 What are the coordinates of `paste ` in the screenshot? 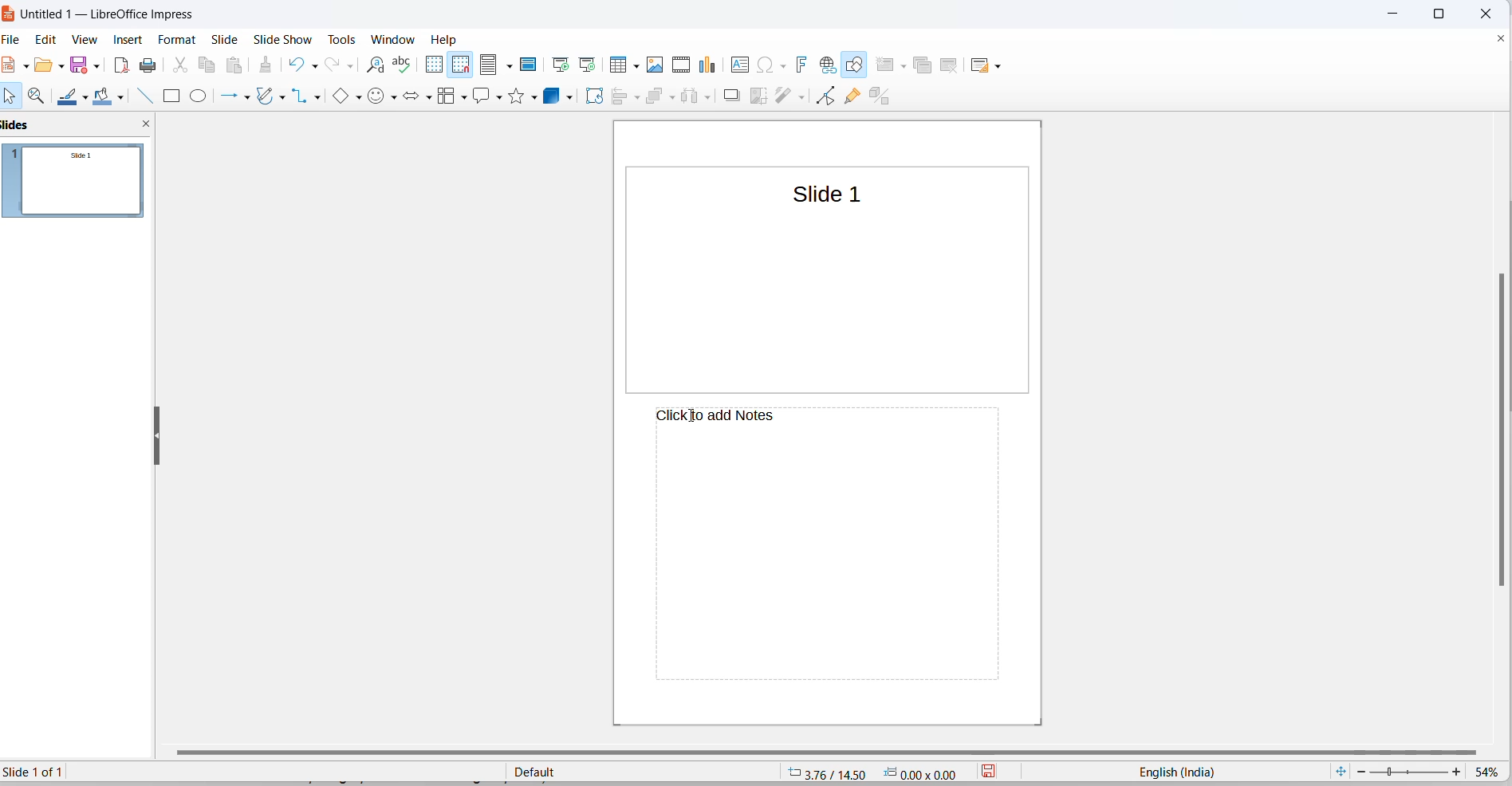 It's located at (238, 65).